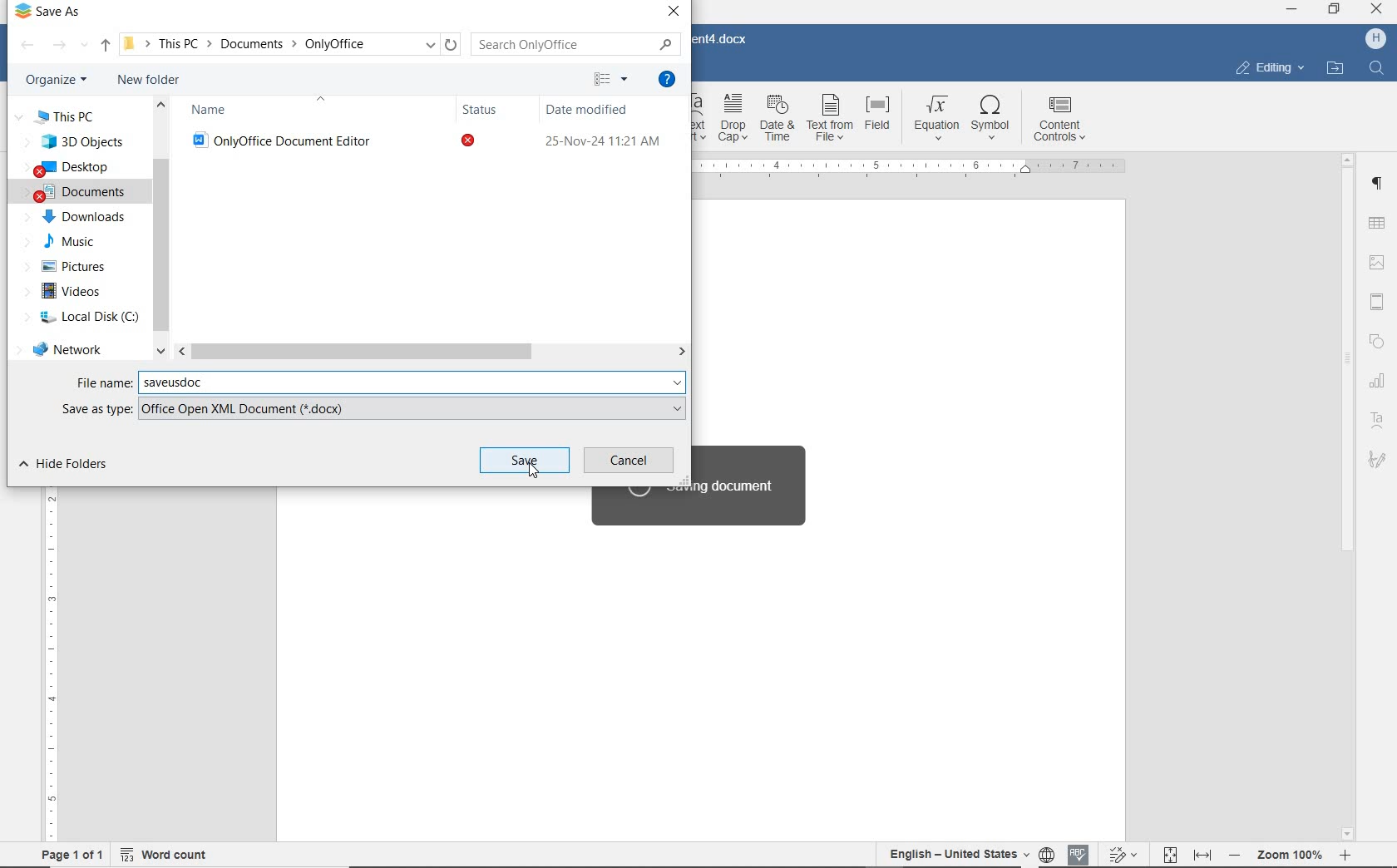 Image resolution: width=1397 pixels, height=868 pixels. I want to click on English-United States(text language), so click(955, 855).